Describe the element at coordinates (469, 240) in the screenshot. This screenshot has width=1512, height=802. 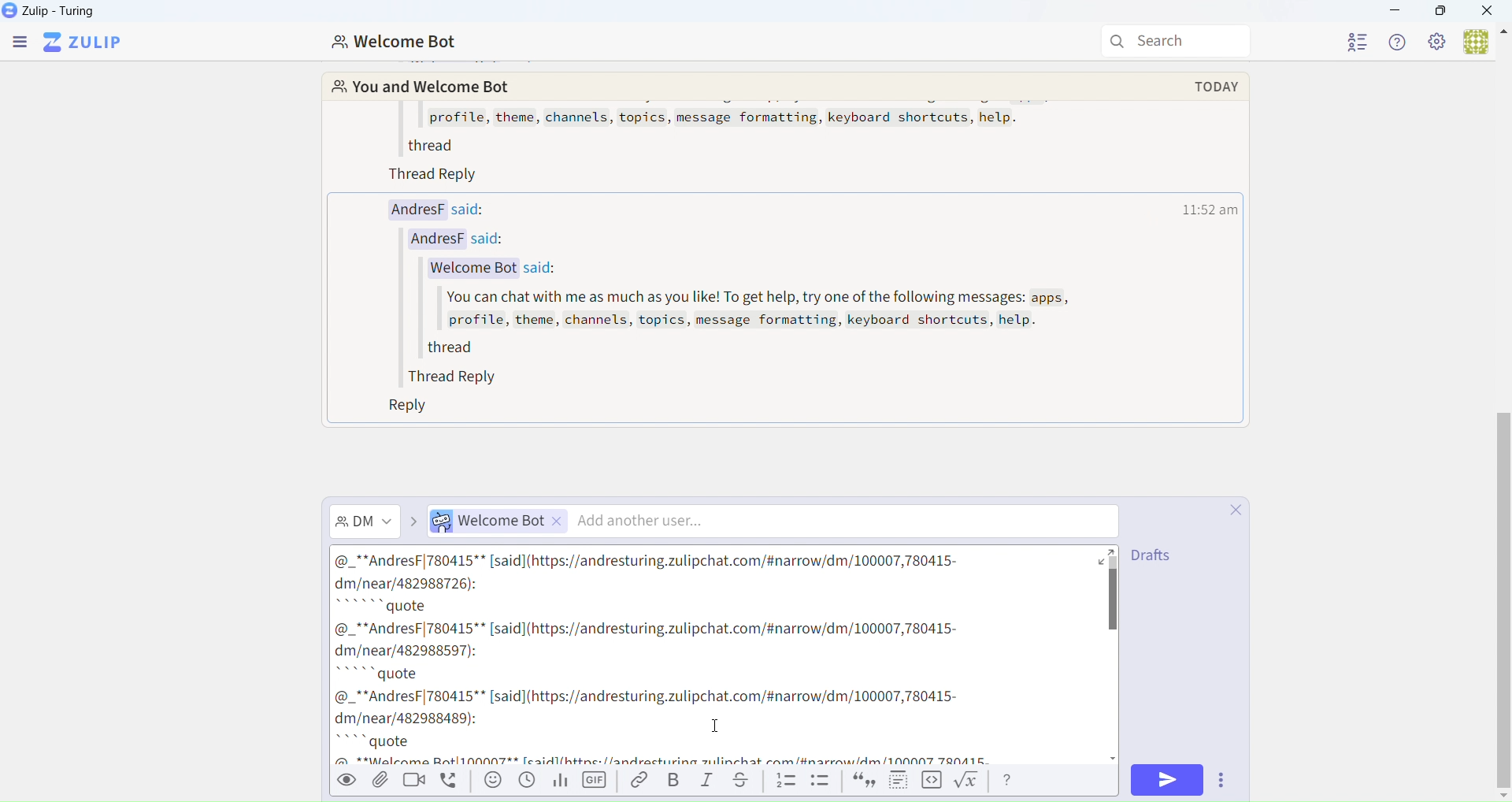
I see `AndresF said:` at that location.